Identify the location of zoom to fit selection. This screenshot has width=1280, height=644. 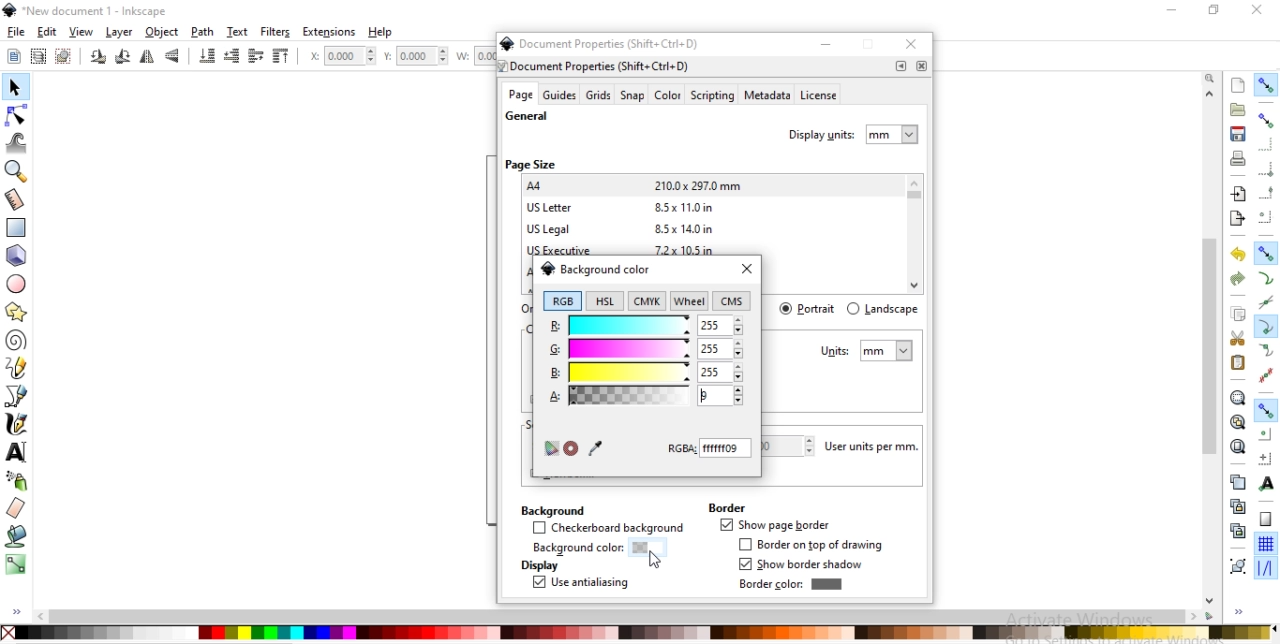
(1237, 398).